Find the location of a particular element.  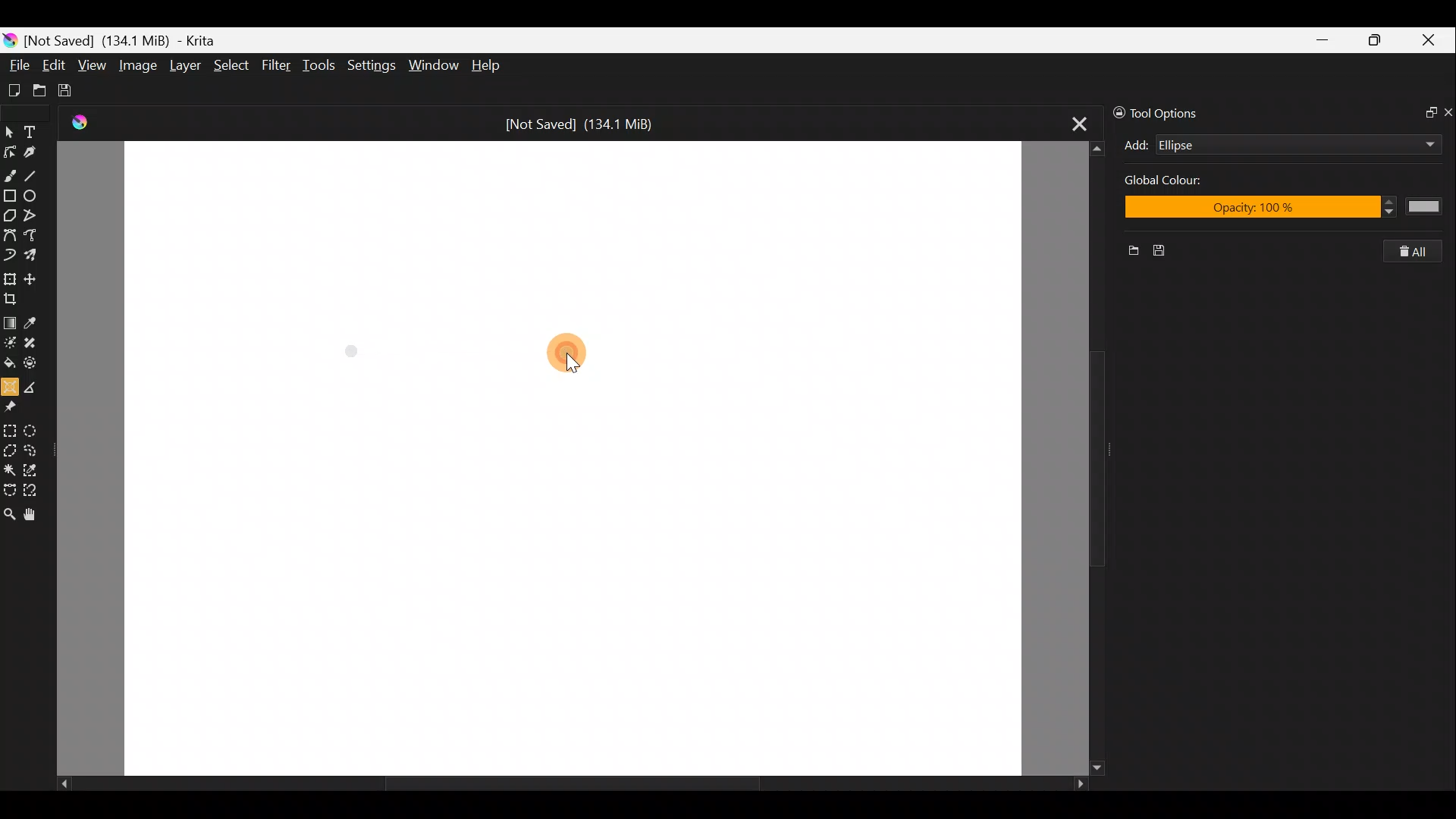

Colorize mask tool is located at coordinates (10, 343).